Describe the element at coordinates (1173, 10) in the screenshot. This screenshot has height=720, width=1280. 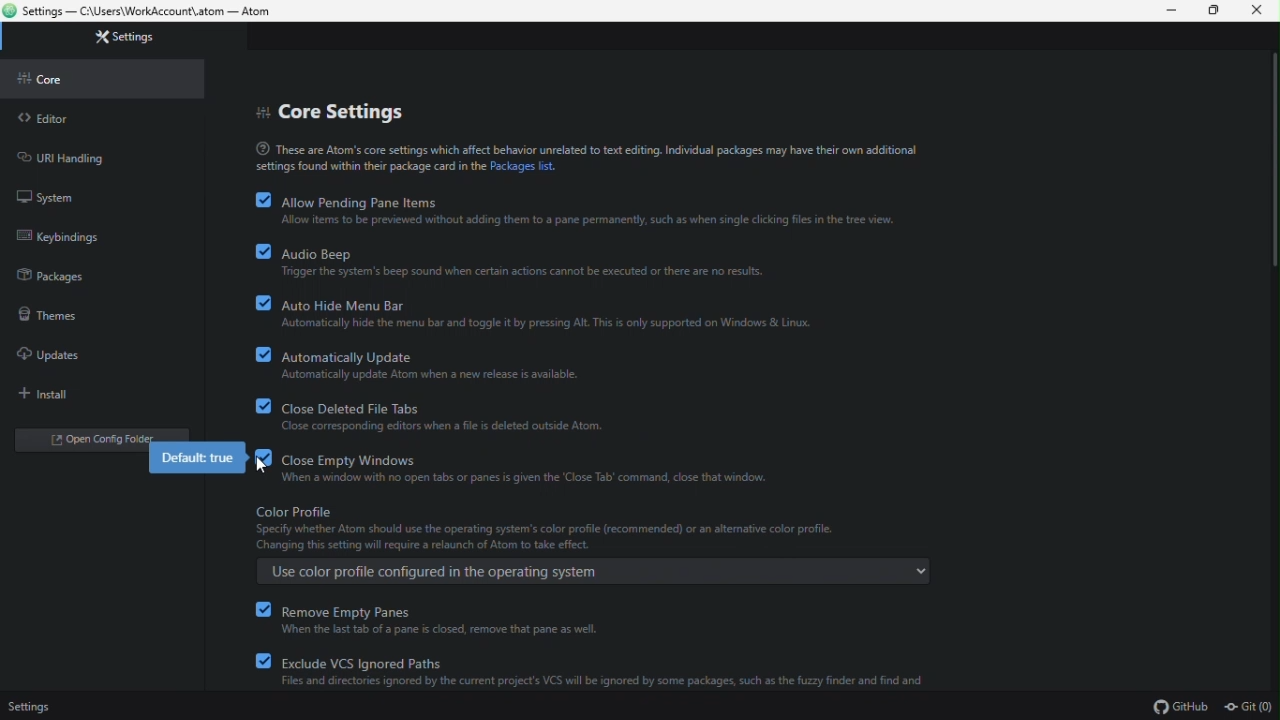
I see `mininize` at that location.